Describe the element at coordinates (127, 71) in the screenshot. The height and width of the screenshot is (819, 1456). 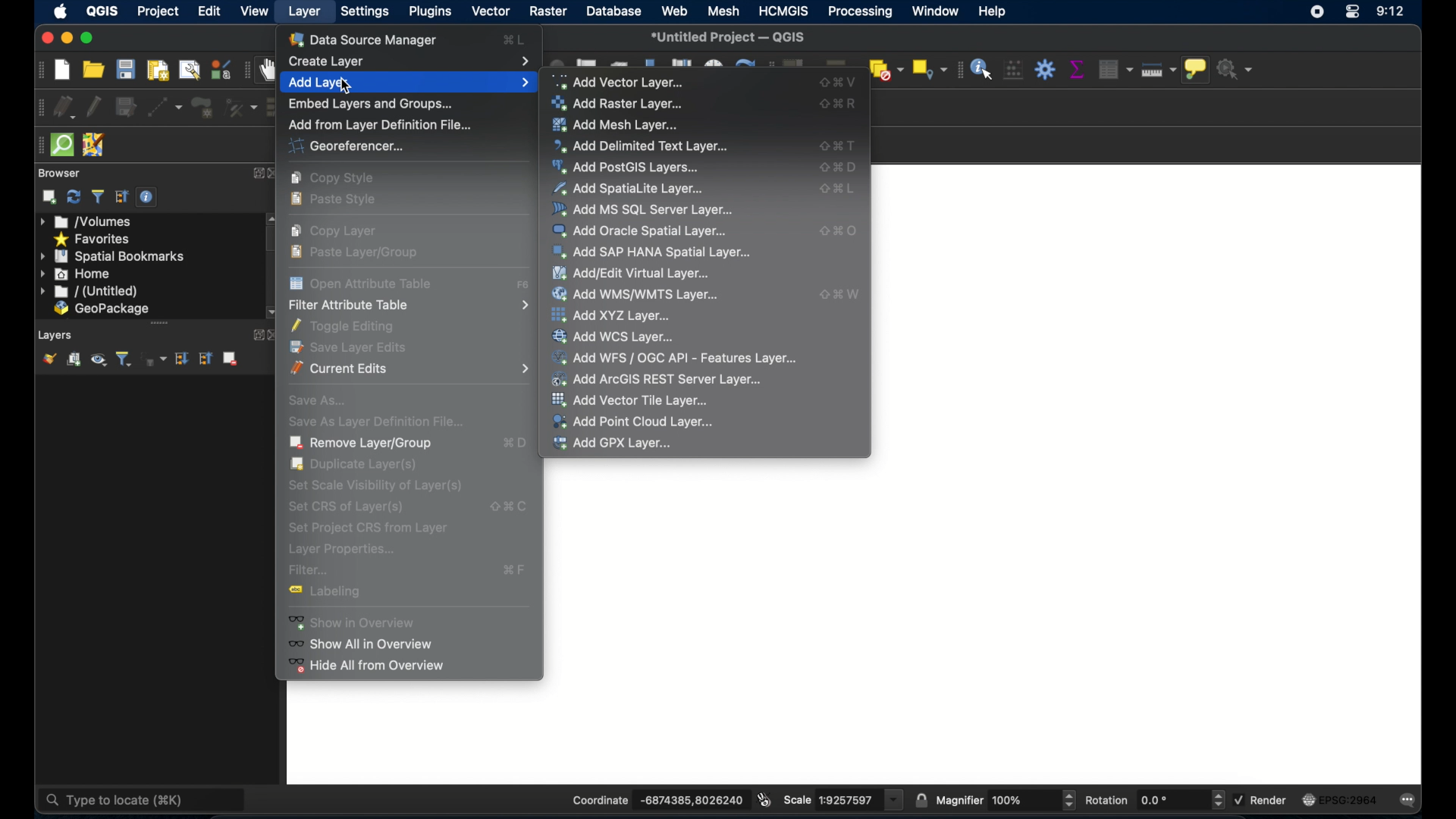
I see `save project` at that location.